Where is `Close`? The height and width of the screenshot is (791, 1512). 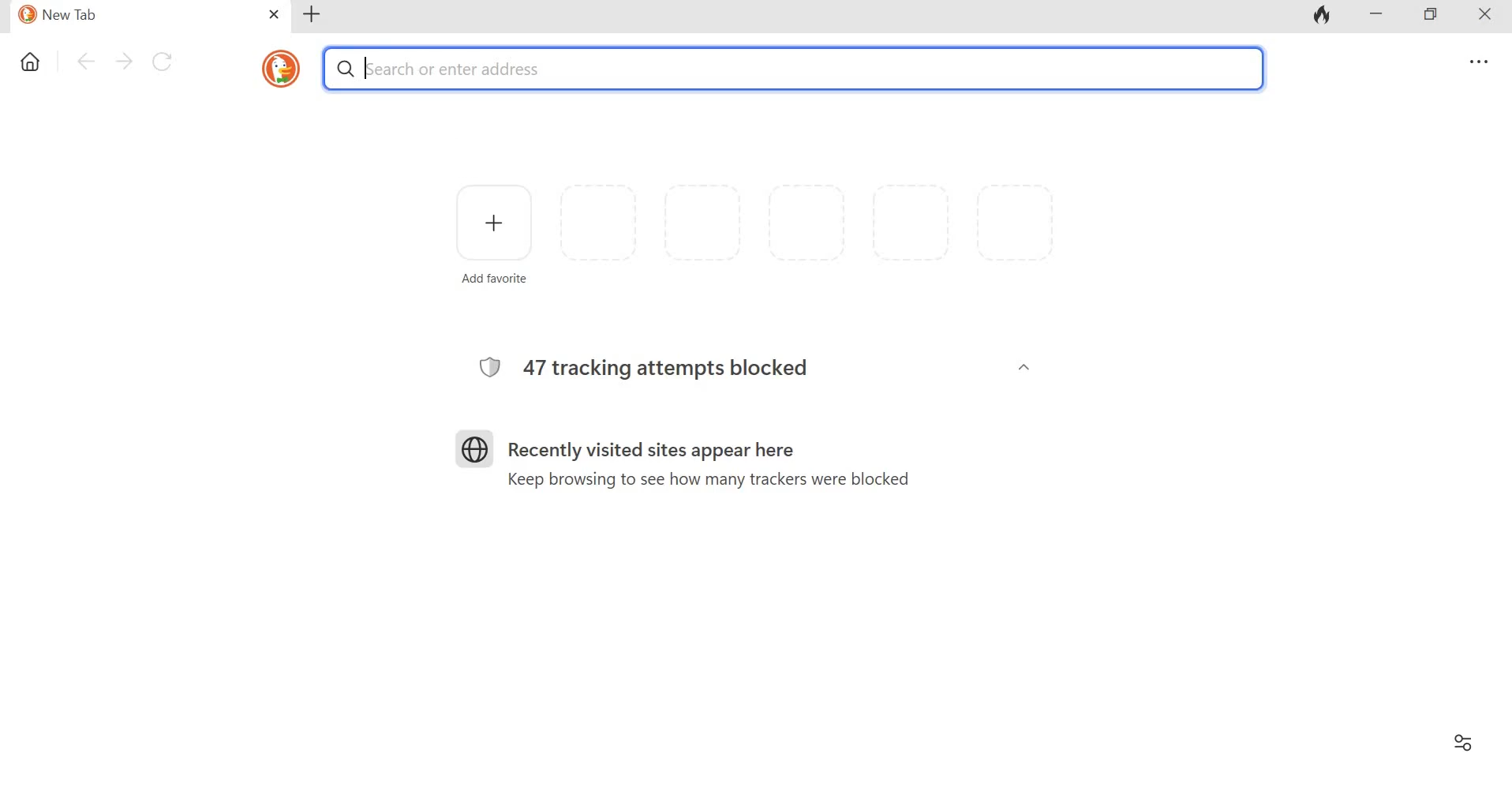
Close is located at coordinates (1488, 16).